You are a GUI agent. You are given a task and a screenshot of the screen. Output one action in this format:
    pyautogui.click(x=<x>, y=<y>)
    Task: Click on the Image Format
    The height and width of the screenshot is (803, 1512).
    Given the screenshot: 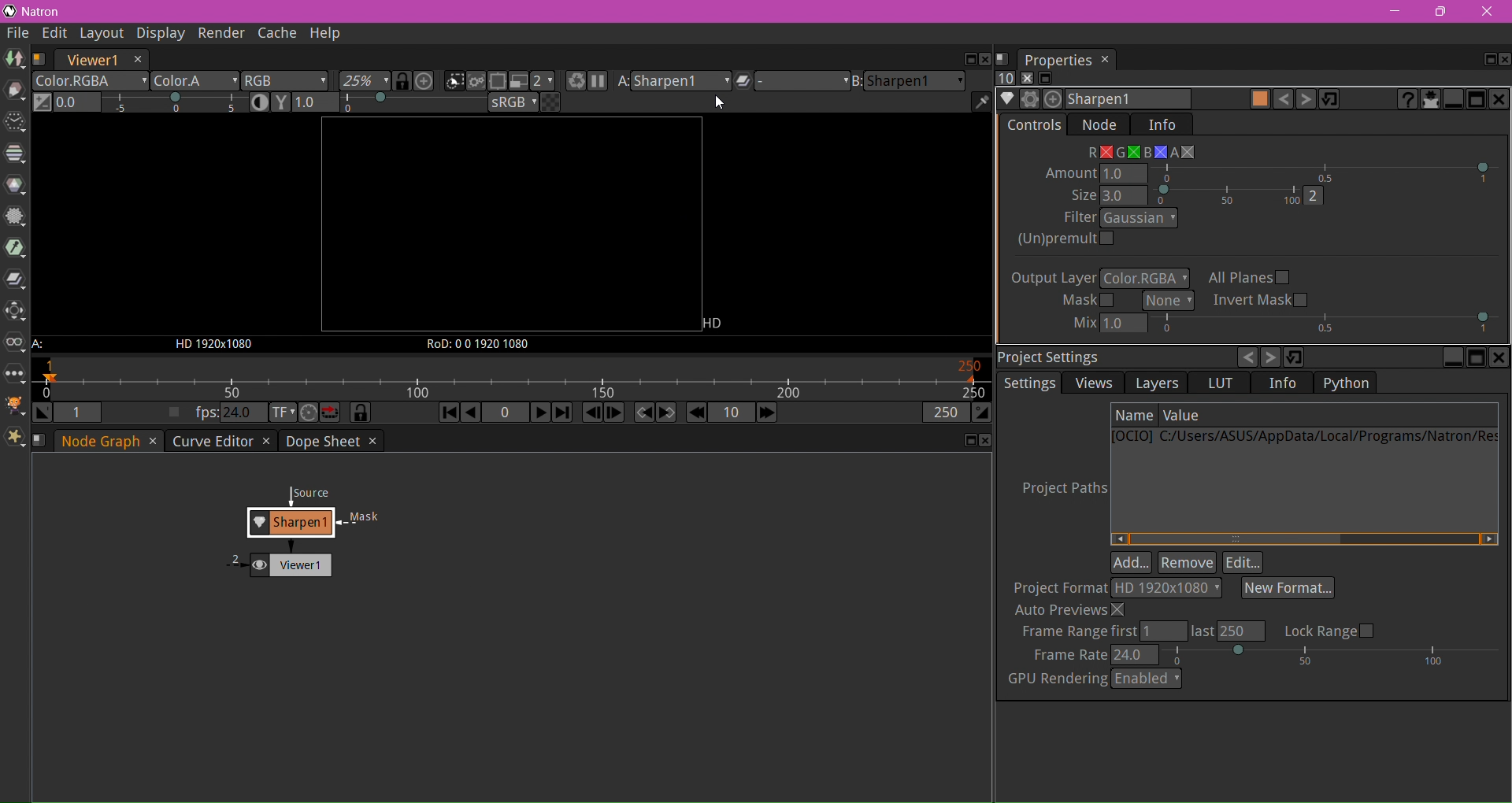 What is the action you would take?
    pyautogui.click(x=210, y=346)
    